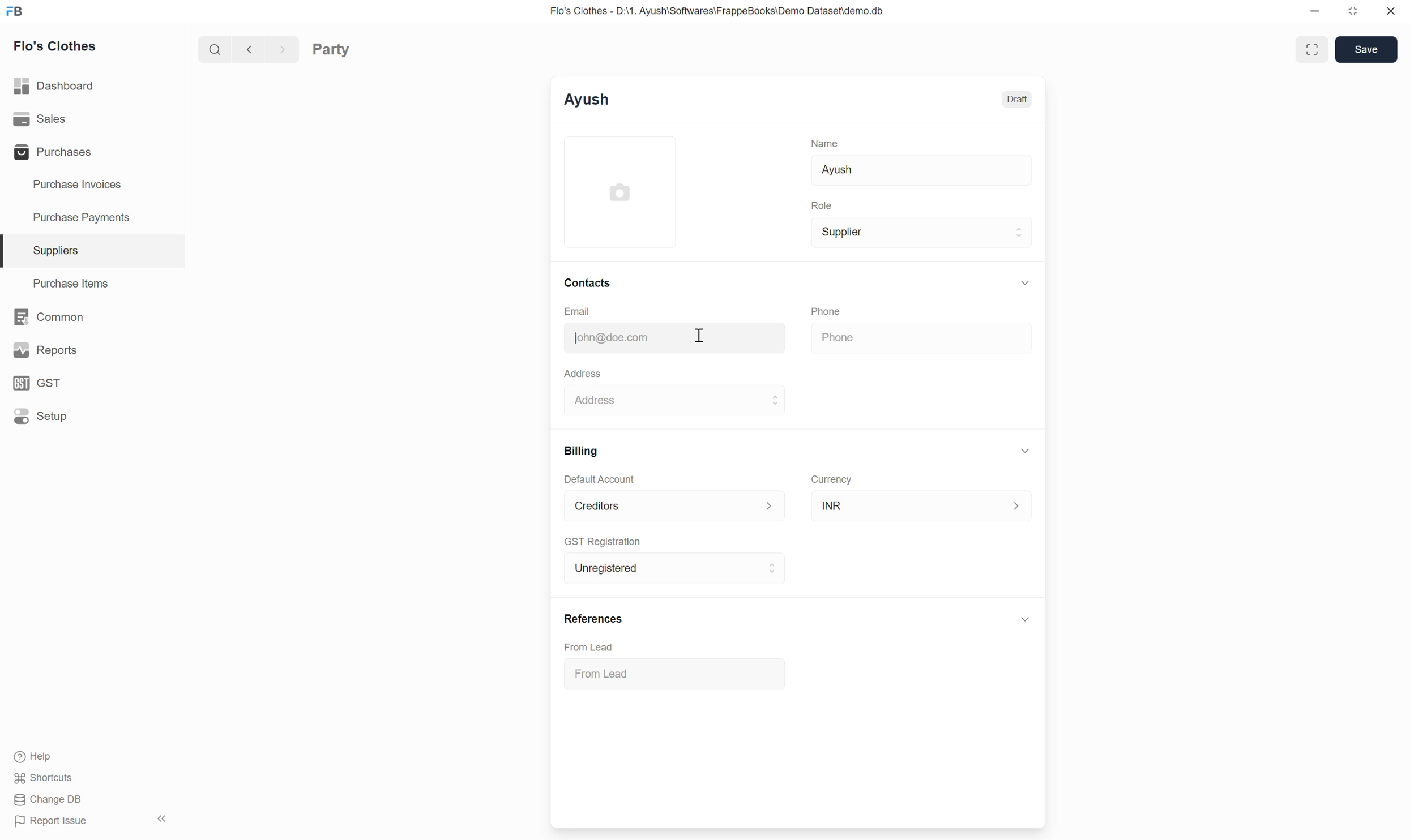 The width and height of the screenshot is (1410, 840). Describe the element at coordinates (600, 478) in the screenshot. I see `Default Account` at that location.